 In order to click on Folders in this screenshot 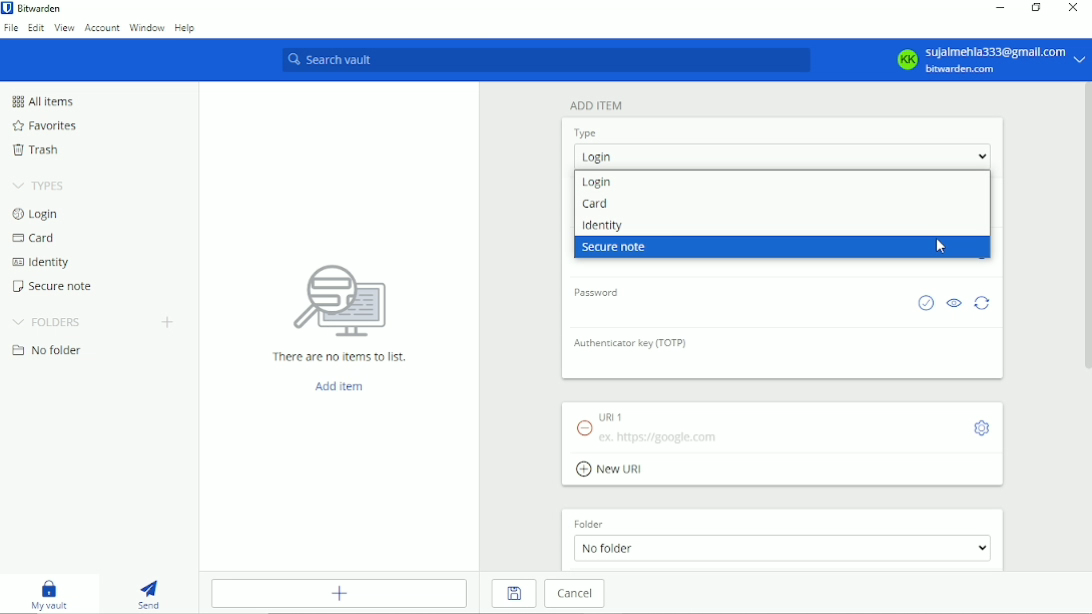, I will do `click(48, 321)`.